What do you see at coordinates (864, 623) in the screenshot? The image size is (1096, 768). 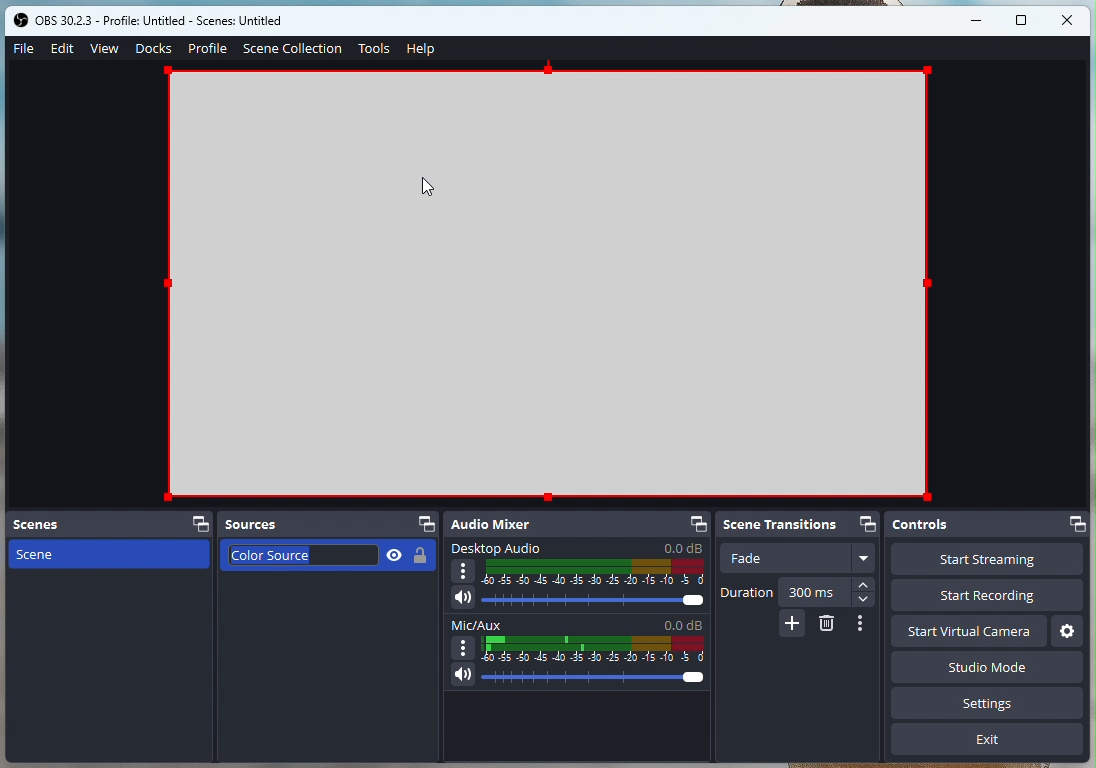 I see `Options` at bounding box center [864, 623].